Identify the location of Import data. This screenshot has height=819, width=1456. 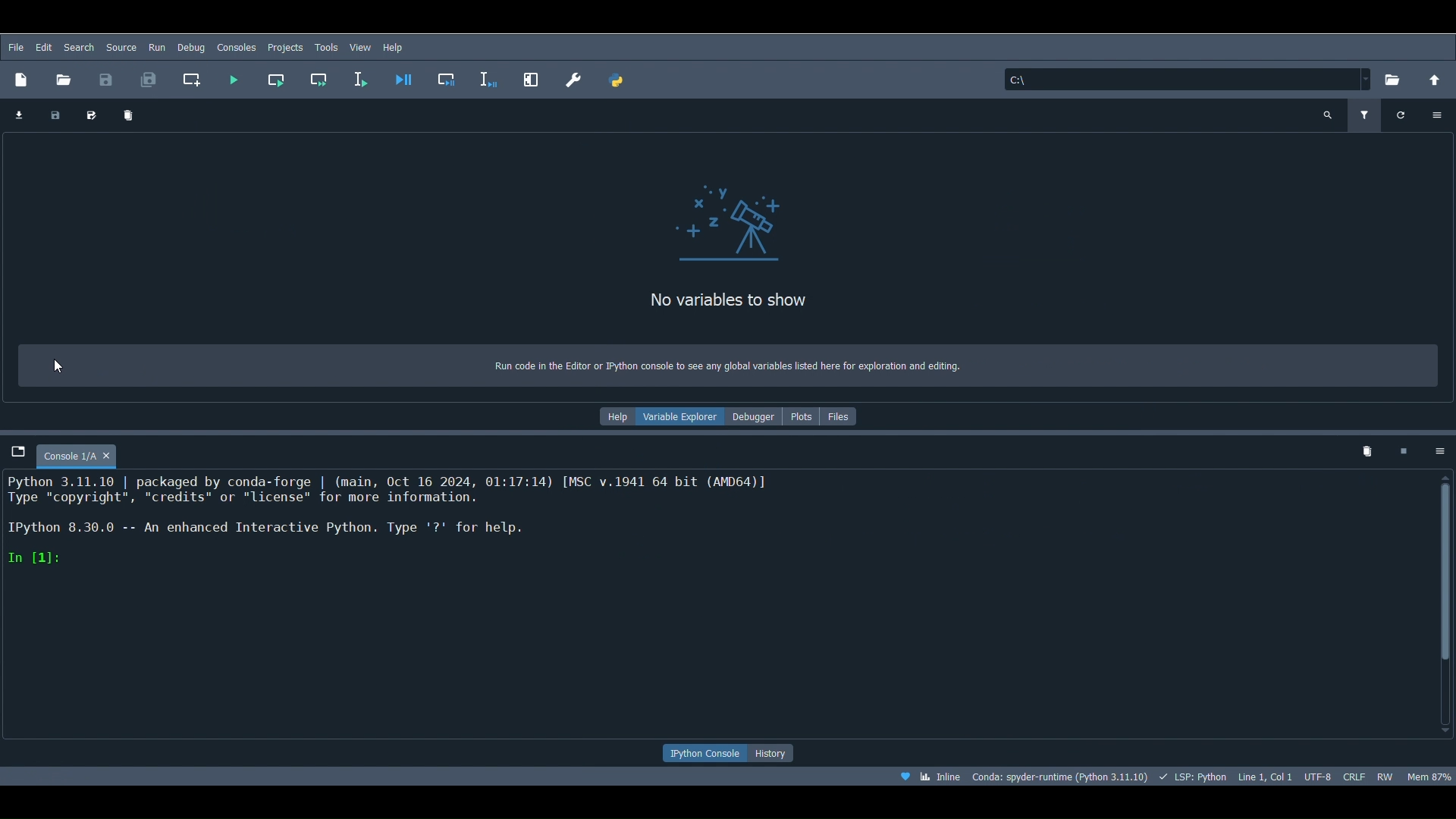
(15, 116).